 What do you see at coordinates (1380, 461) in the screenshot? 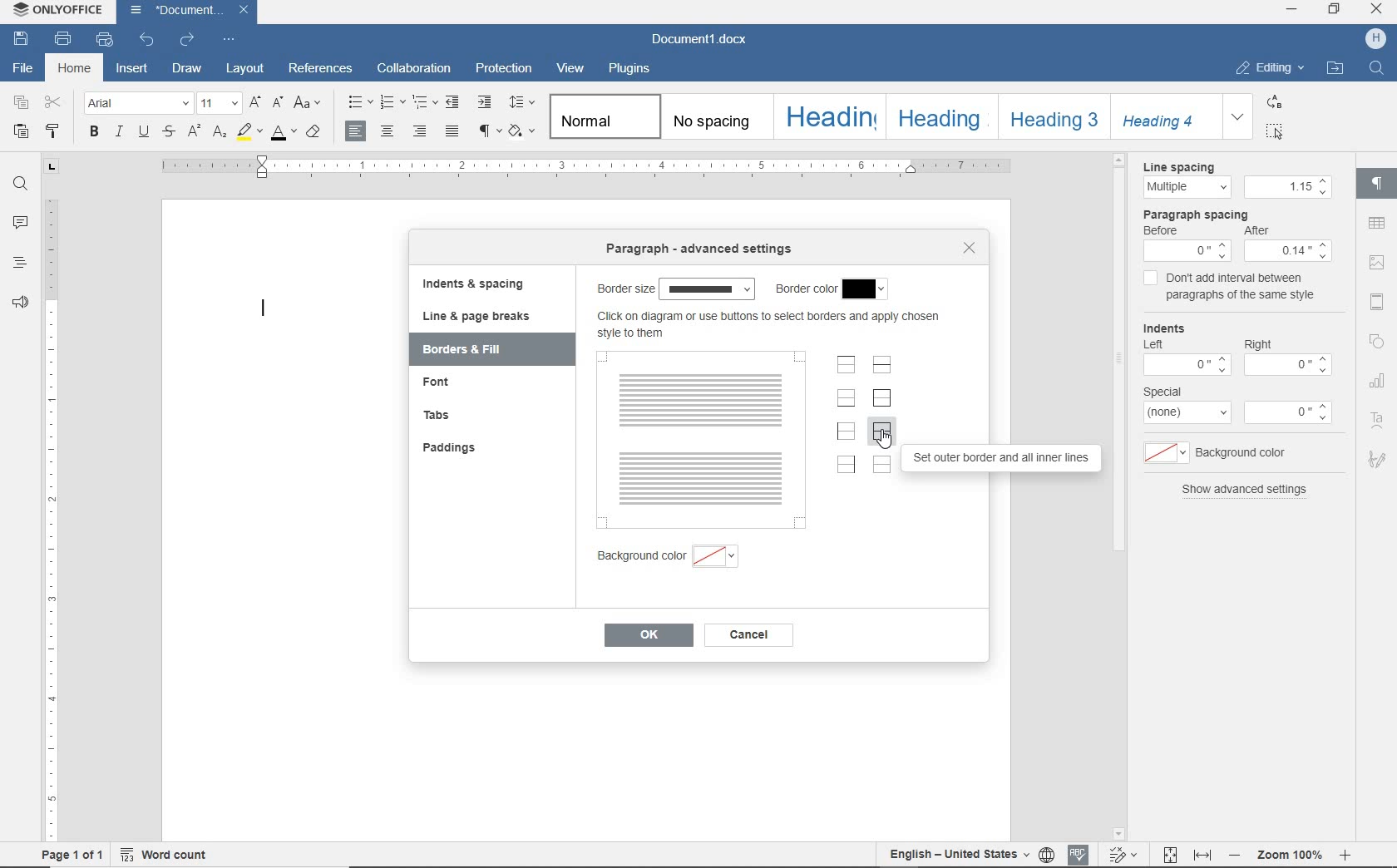
I see `Signature` at bounding box center [1380, 461].